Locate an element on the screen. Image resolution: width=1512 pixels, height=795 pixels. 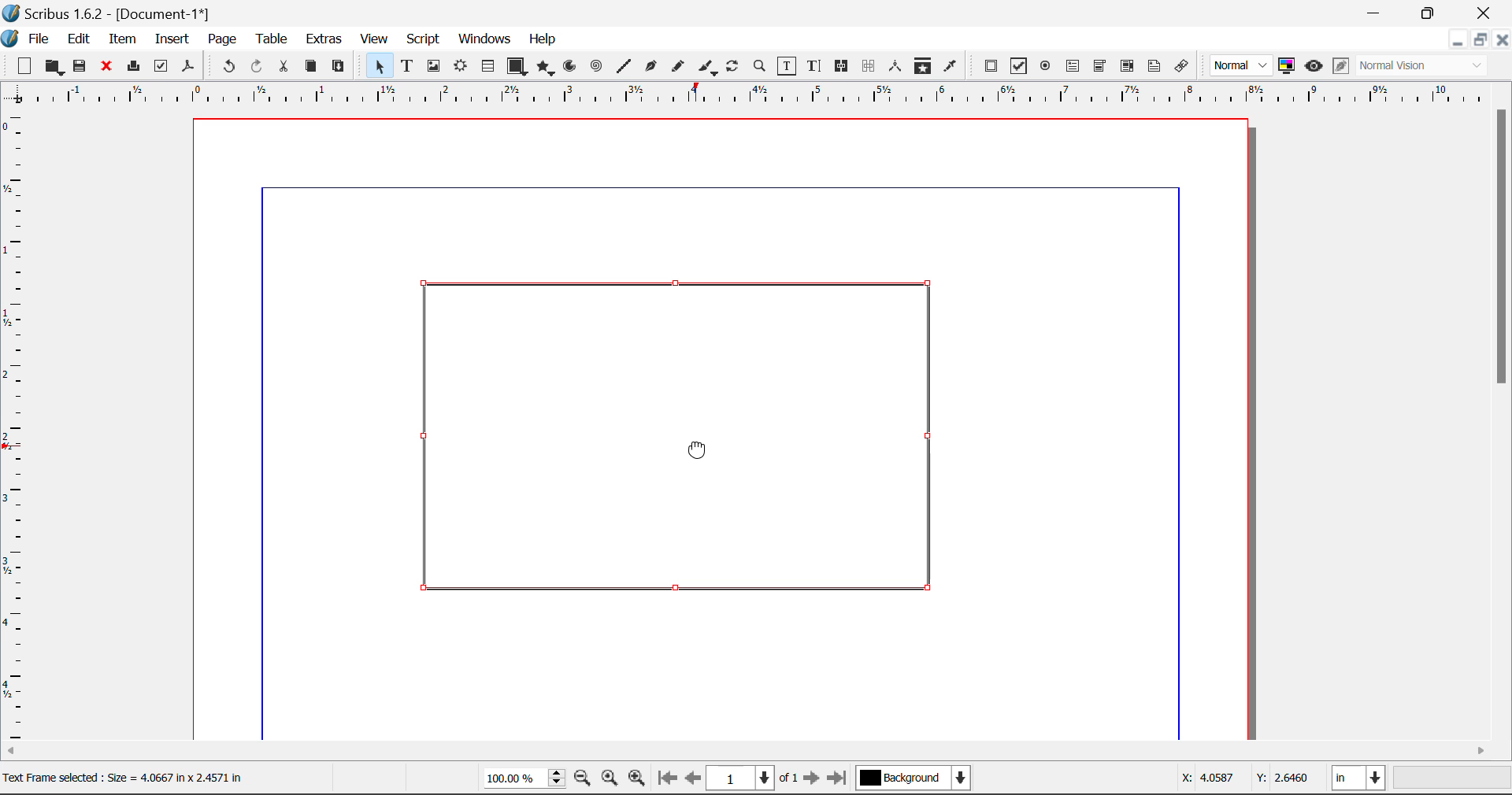
Preview Mode is located at coordinates (1314, 66).